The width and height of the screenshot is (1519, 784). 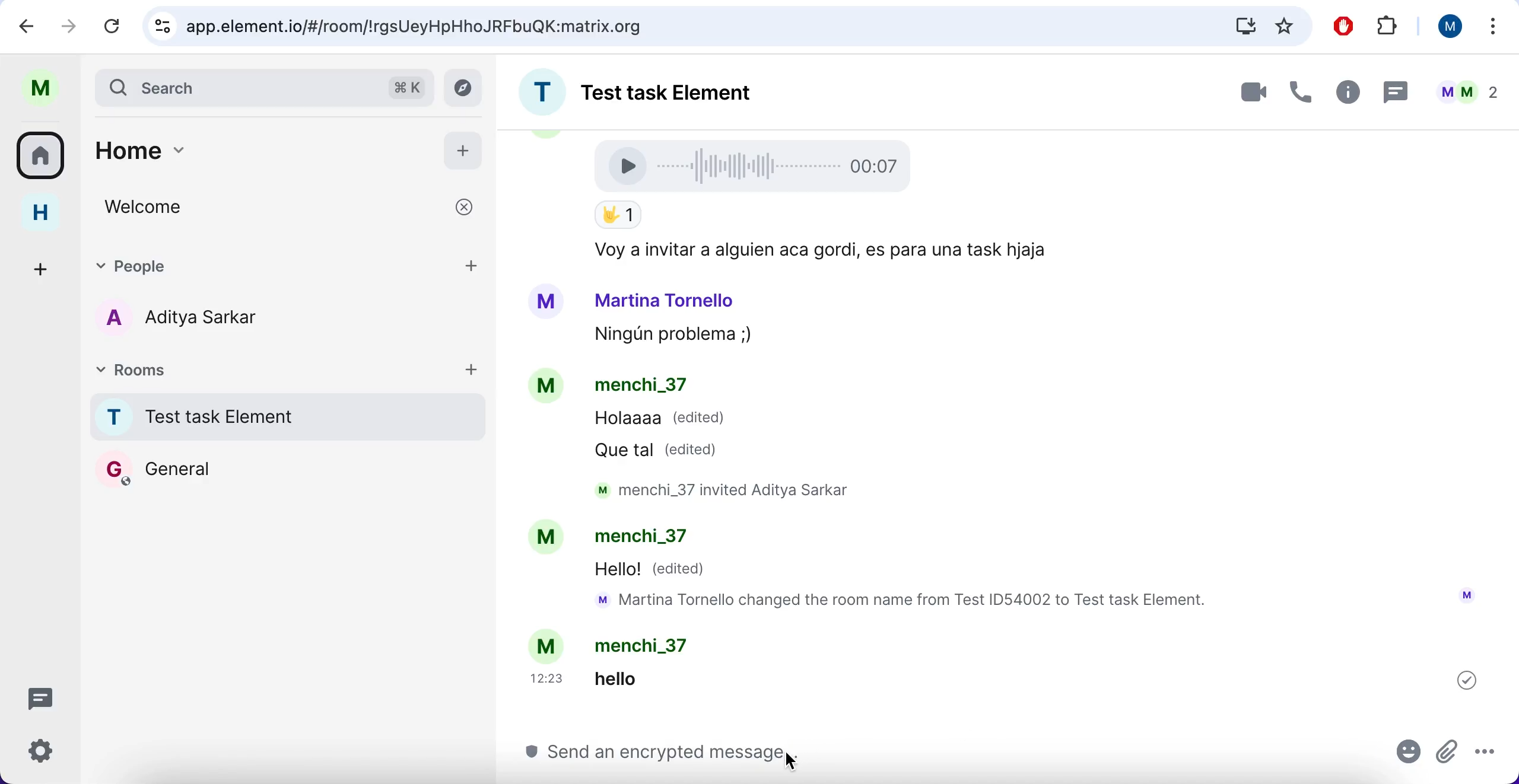 I want to click on search bar, so click(x=262, y=87).